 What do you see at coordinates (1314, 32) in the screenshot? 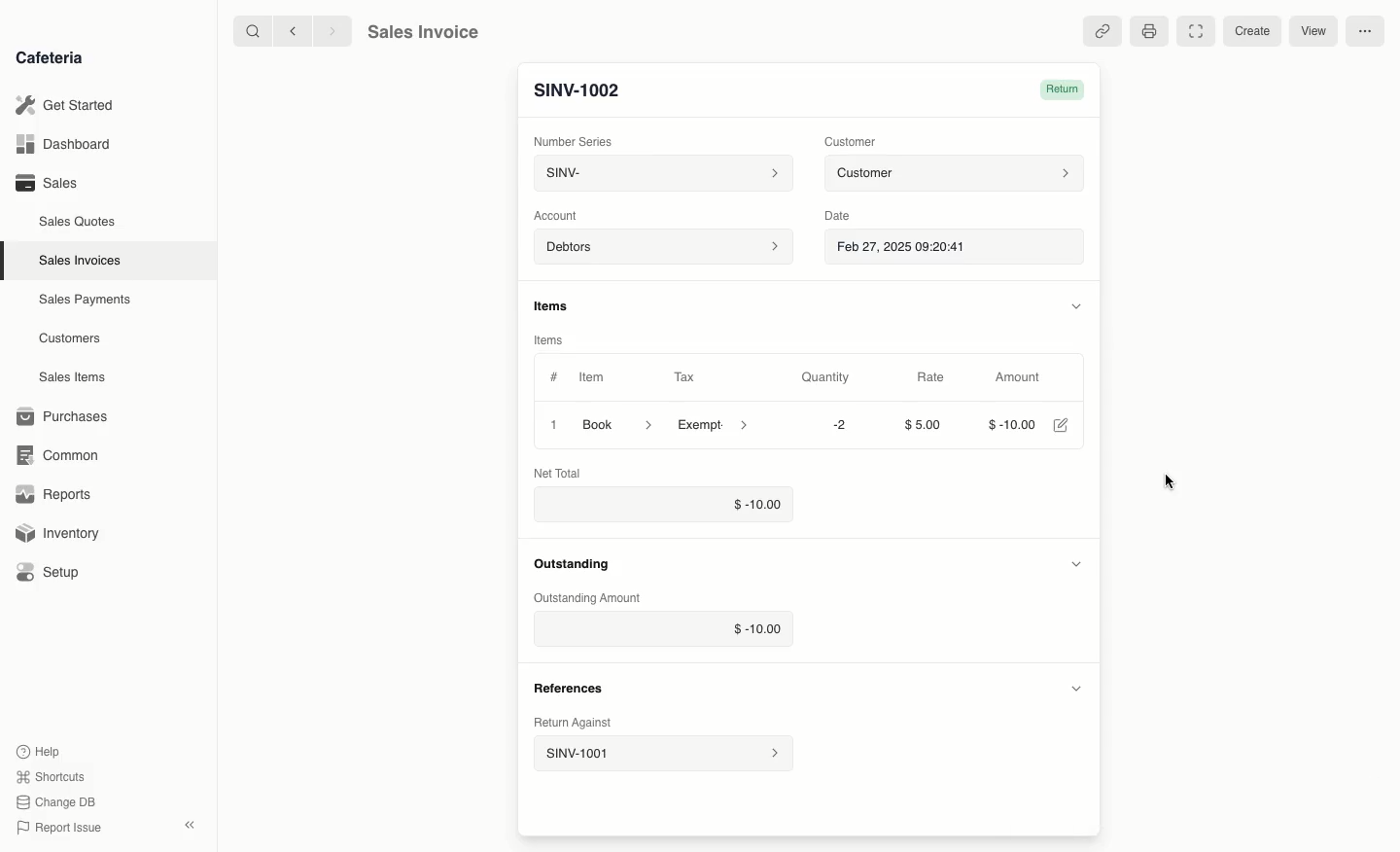
I see `view` at bounding box center [1314, 32].